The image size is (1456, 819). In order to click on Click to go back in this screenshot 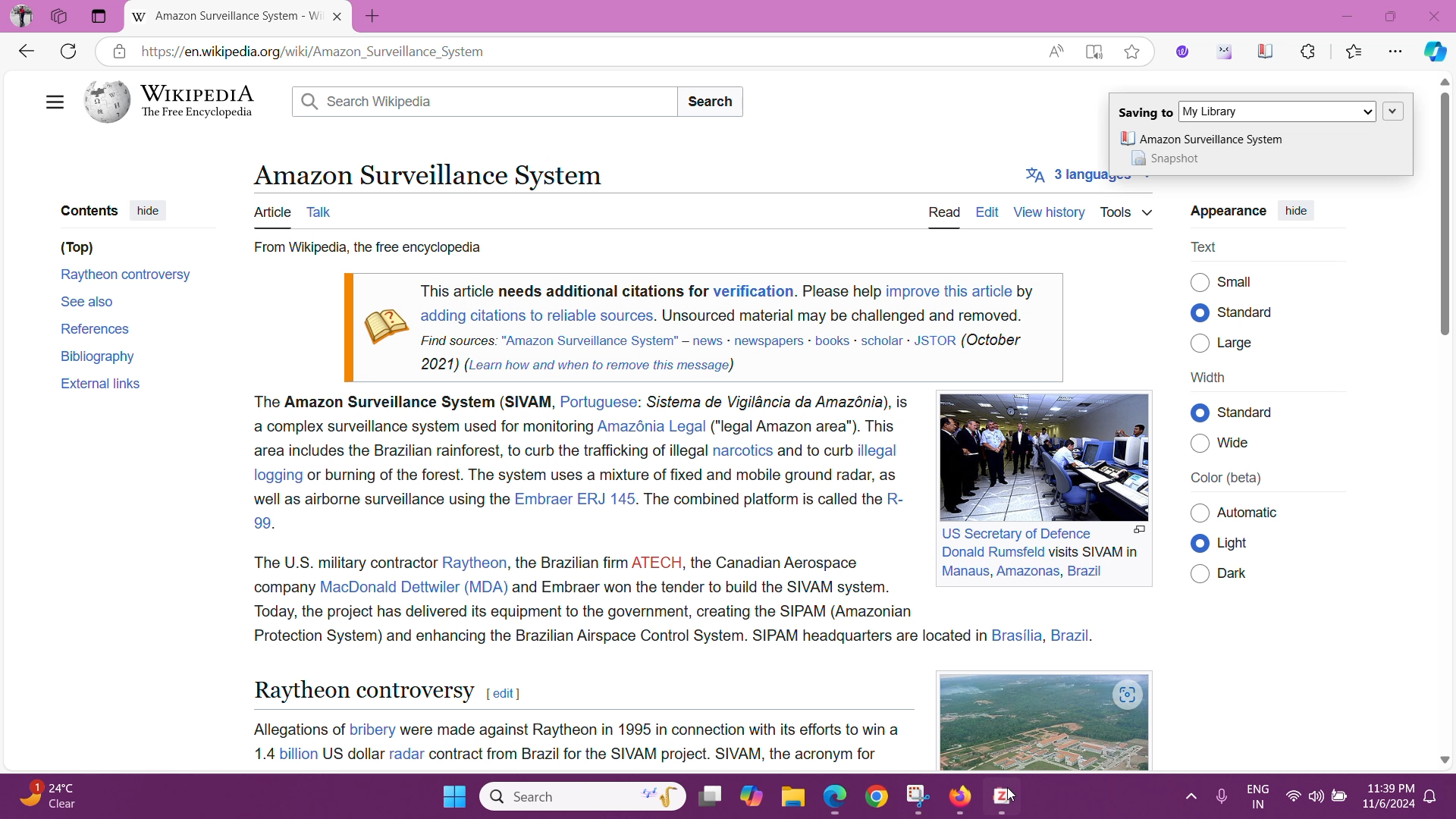, I will do `click(25, 50)`.